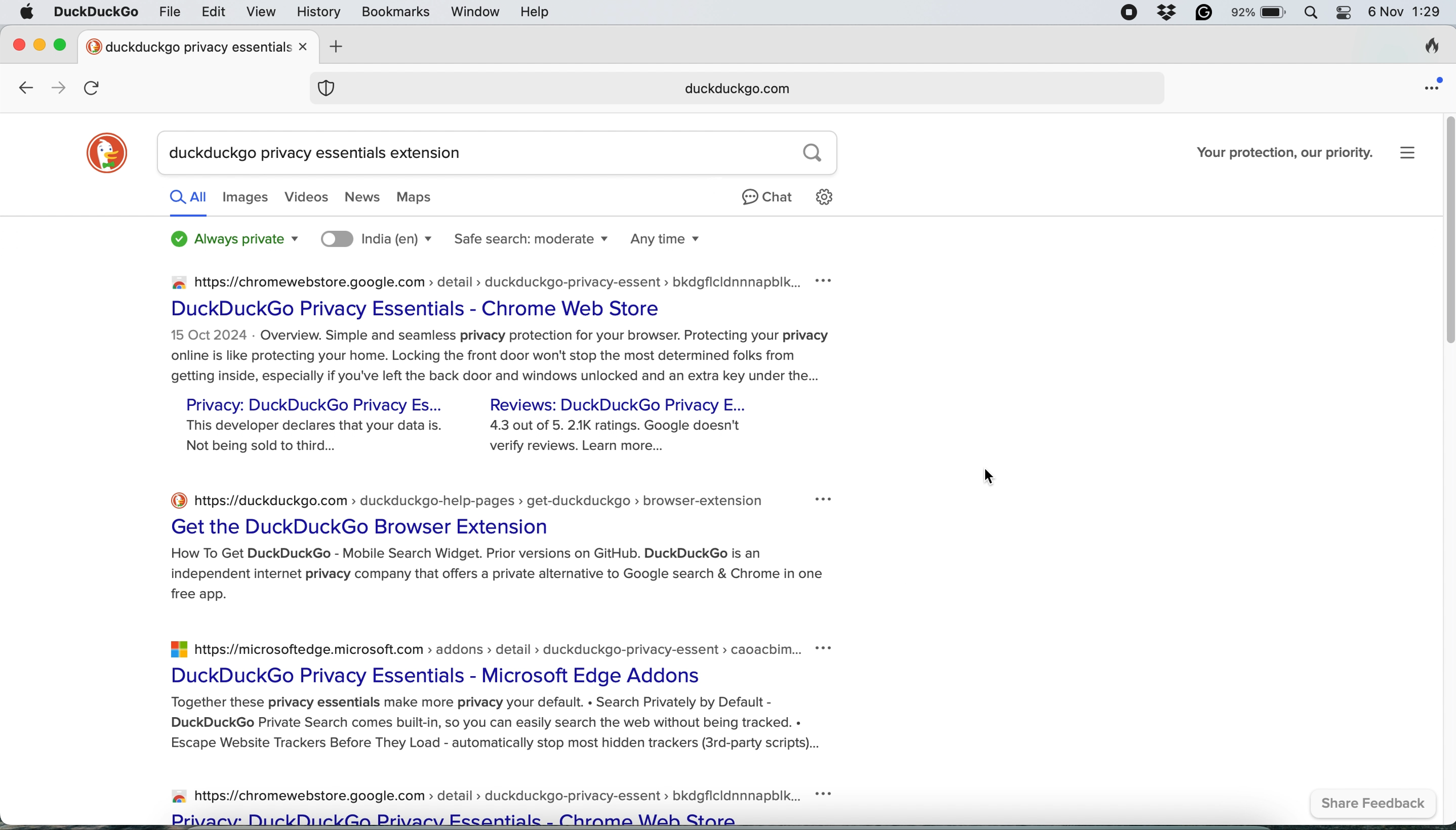 The height and width of the screenshot is (830, 1456). I want to click on file, so click(167, 13).